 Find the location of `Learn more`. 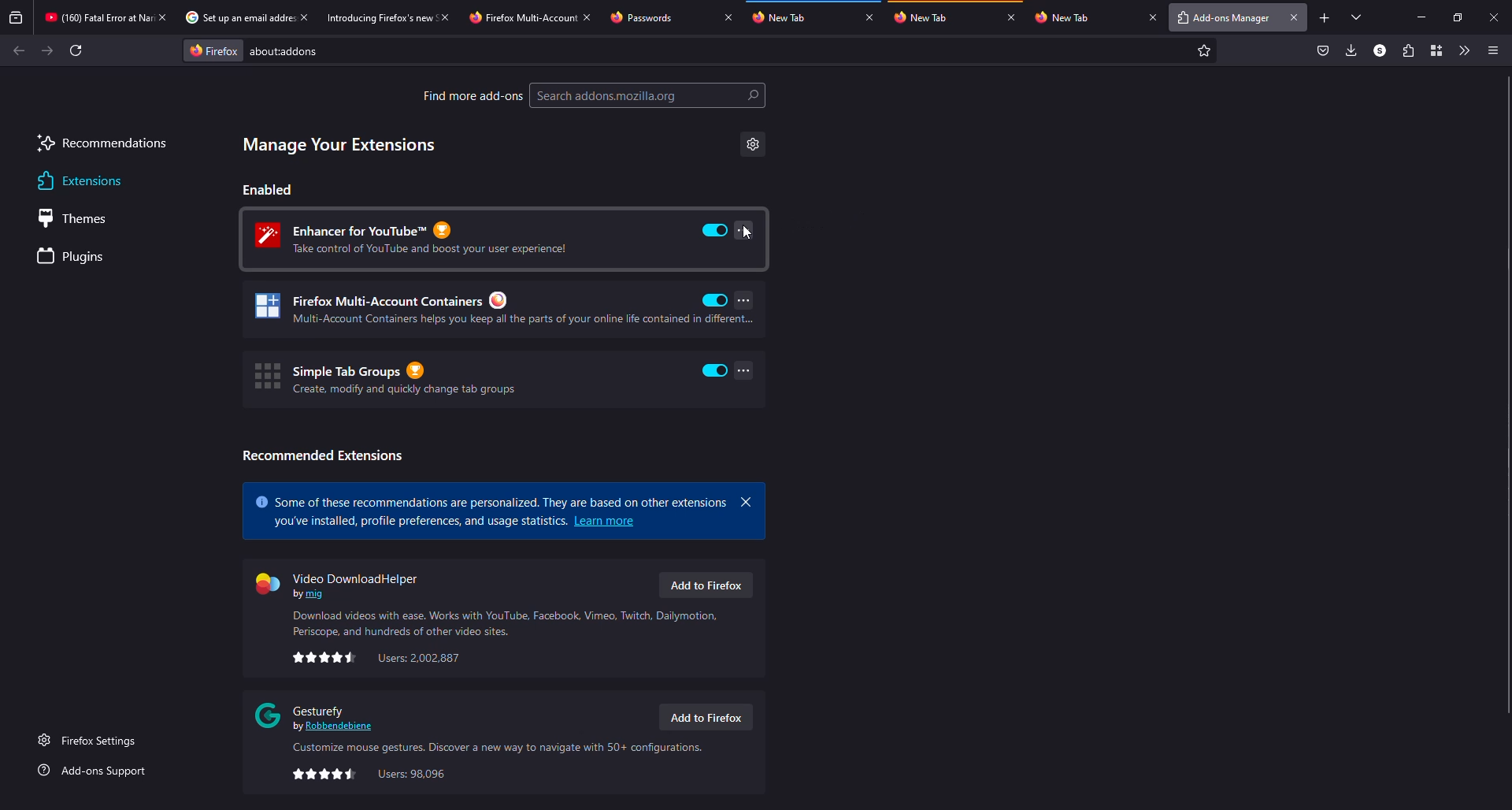

Learn more is located at coordinates (606, 521).